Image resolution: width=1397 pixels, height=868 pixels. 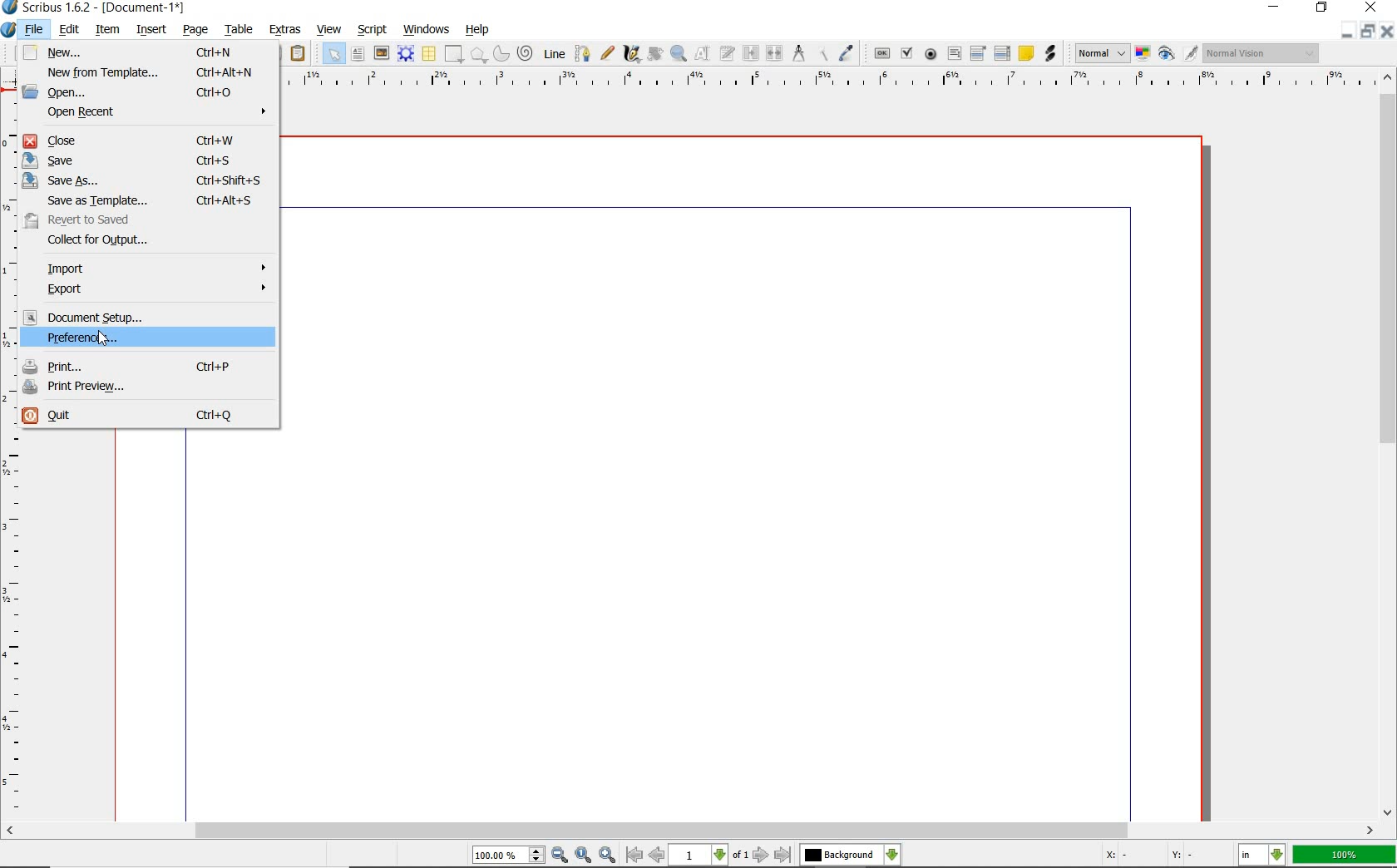 What do you see at coordinates (143, 52) in the screenshot?
I see `NEW` at bounding box center [143, 52].